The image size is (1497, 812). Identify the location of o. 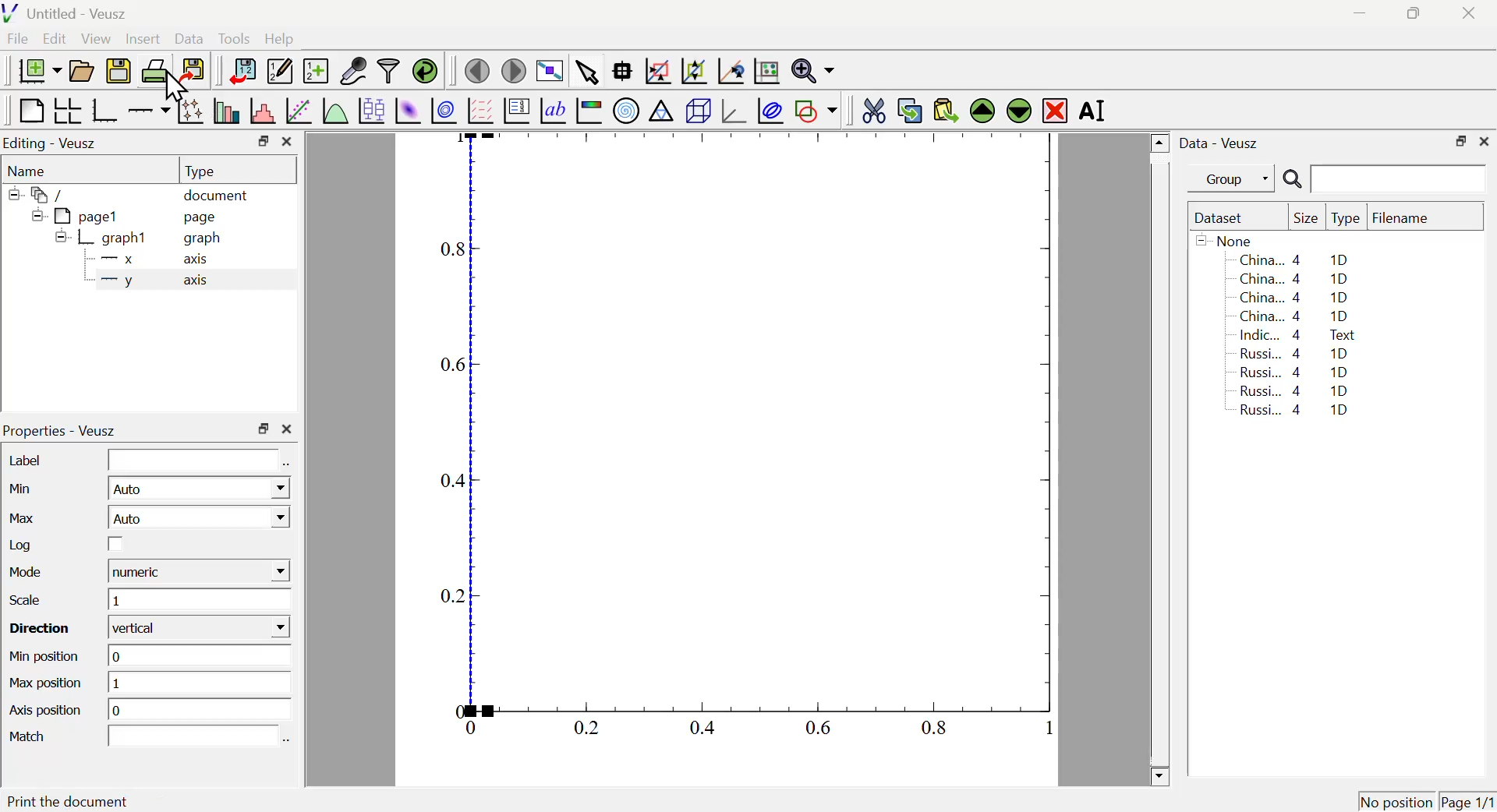
(200, 709).